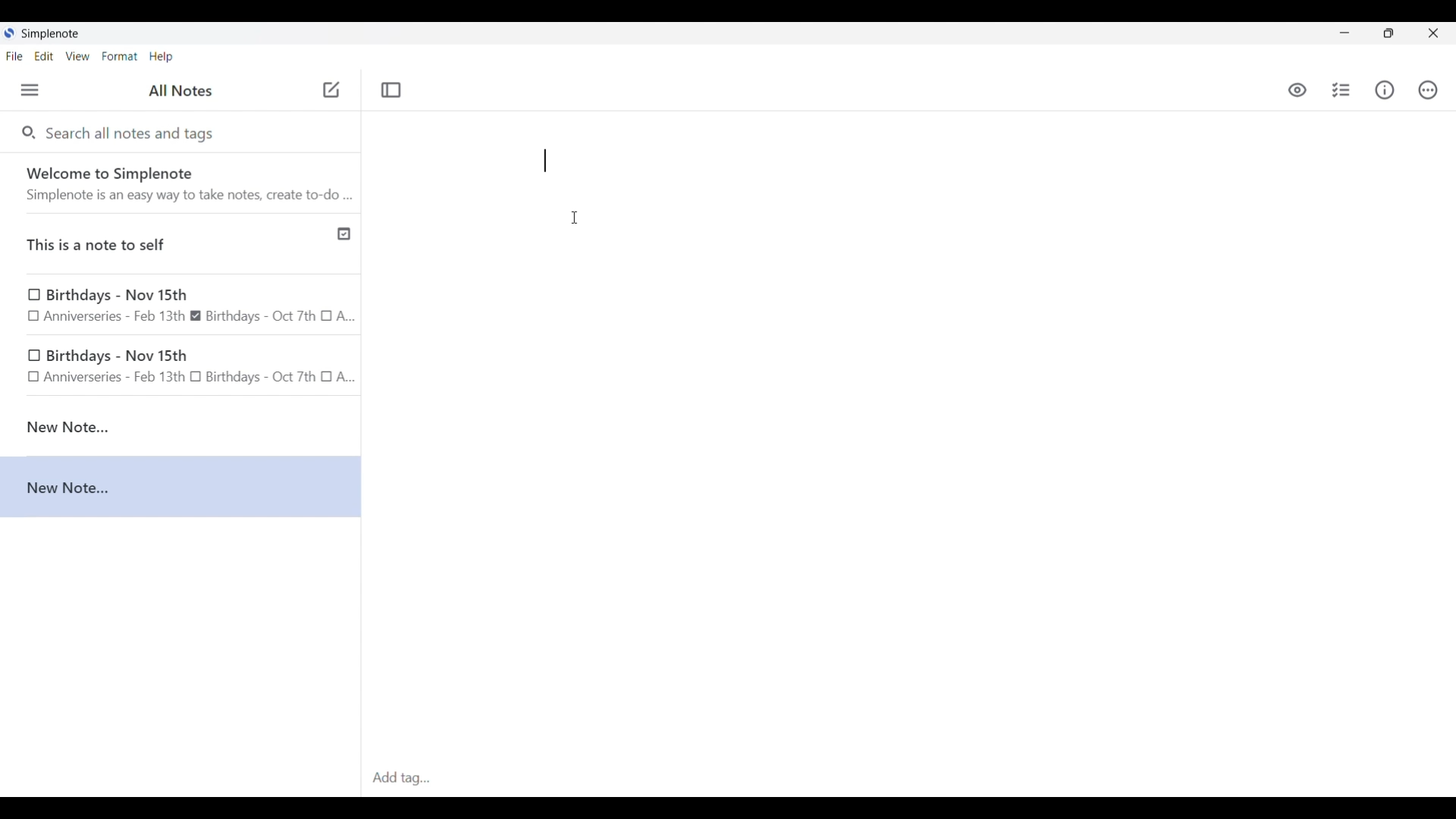 The width and height of the screenshot is (1456, 819). What do you see at coordinates (184, 183) in the screenshot?
I see `Software welcome note` at bounding box center [184, 183].